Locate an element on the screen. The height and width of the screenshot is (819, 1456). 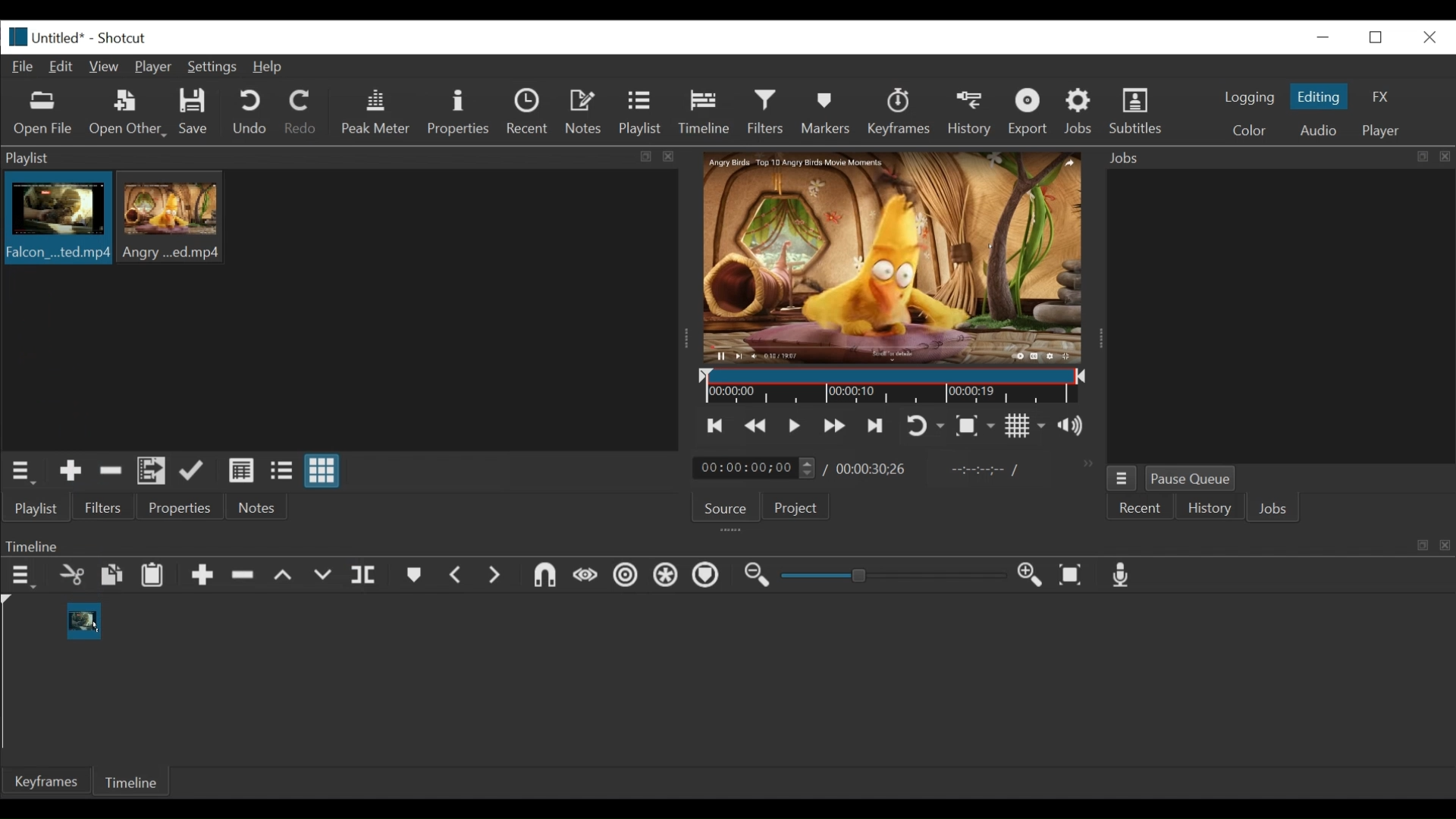
playlist menu is located at coordinates (24, 470).